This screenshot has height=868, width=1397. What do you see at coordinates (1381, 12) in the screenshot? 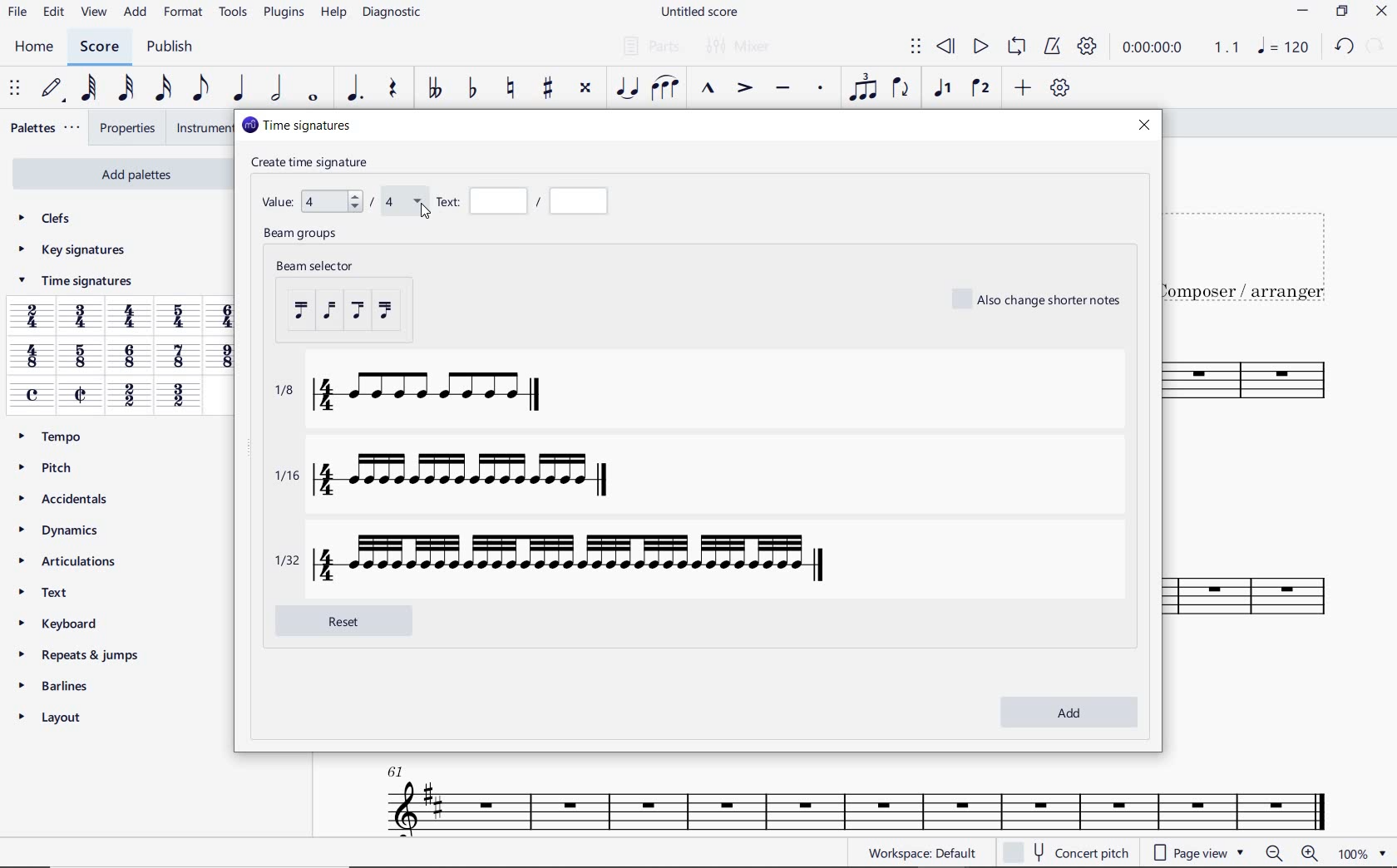
I see `CLOSE` at bounding box center [1381, 12].